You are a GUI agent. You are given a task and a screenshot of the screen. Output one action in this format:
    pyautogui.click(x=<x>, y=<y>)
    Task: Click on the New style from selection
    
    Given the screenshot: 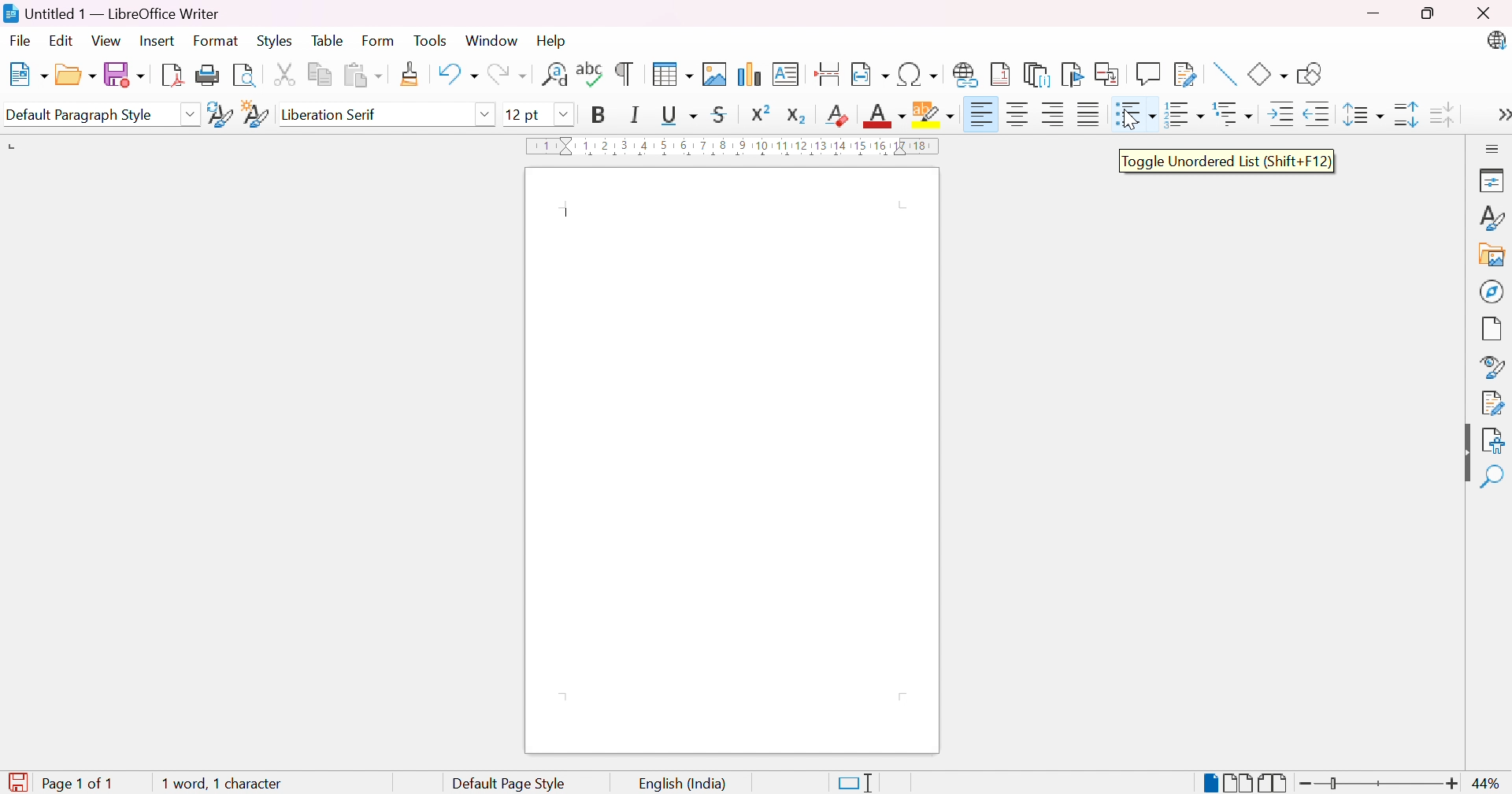 What is the action you would take?
    pyautogui.click(x=255, y=115)
    